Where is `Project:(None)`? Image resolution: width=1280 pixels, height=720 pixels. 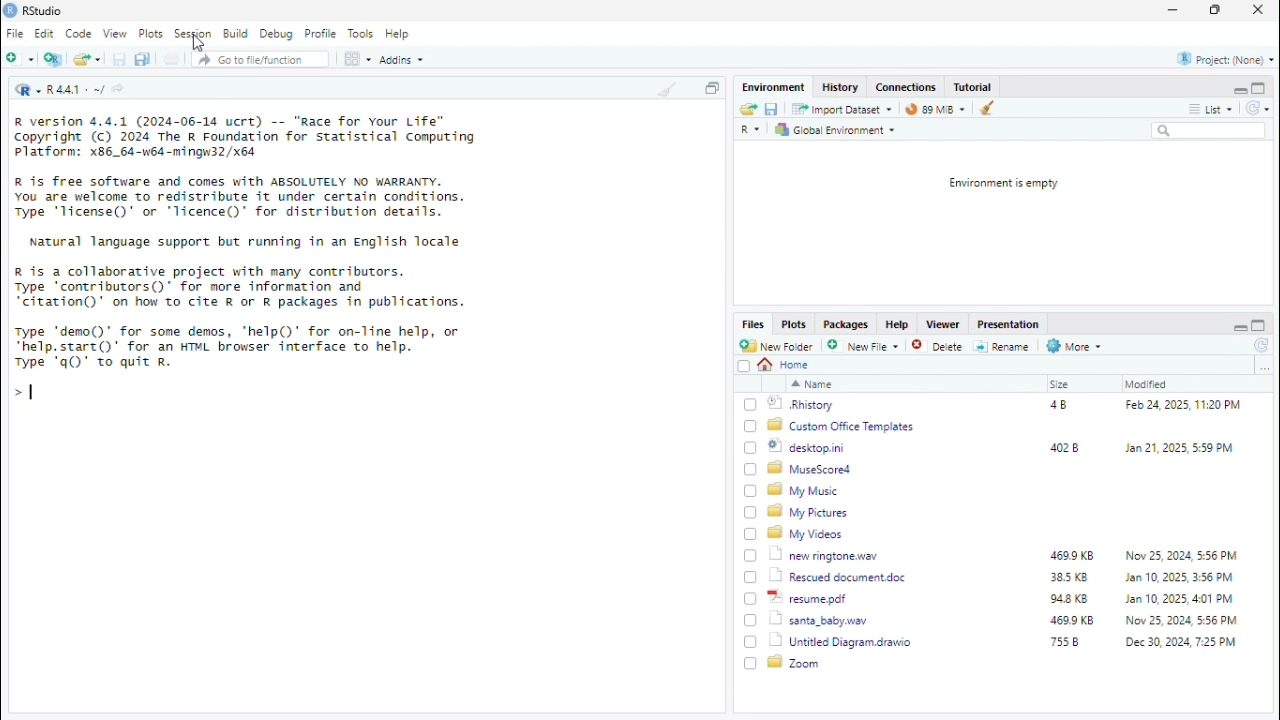
Project:(None) is located at coordinates (1227, 60).